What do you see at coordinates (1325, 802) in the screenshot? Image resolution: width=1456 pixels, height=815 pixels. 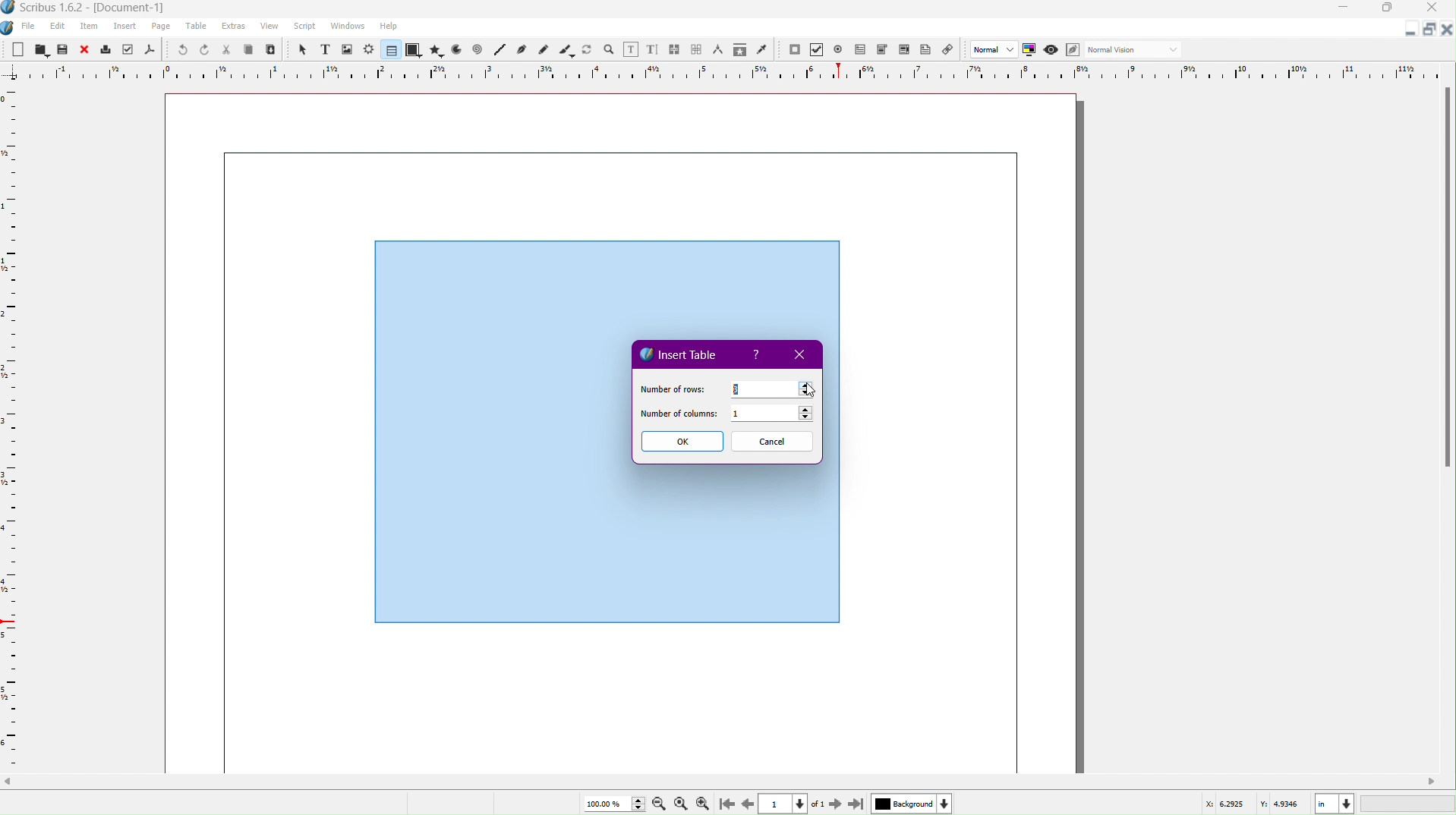 I see `Coordinates` at bounding box center [1325, 802].